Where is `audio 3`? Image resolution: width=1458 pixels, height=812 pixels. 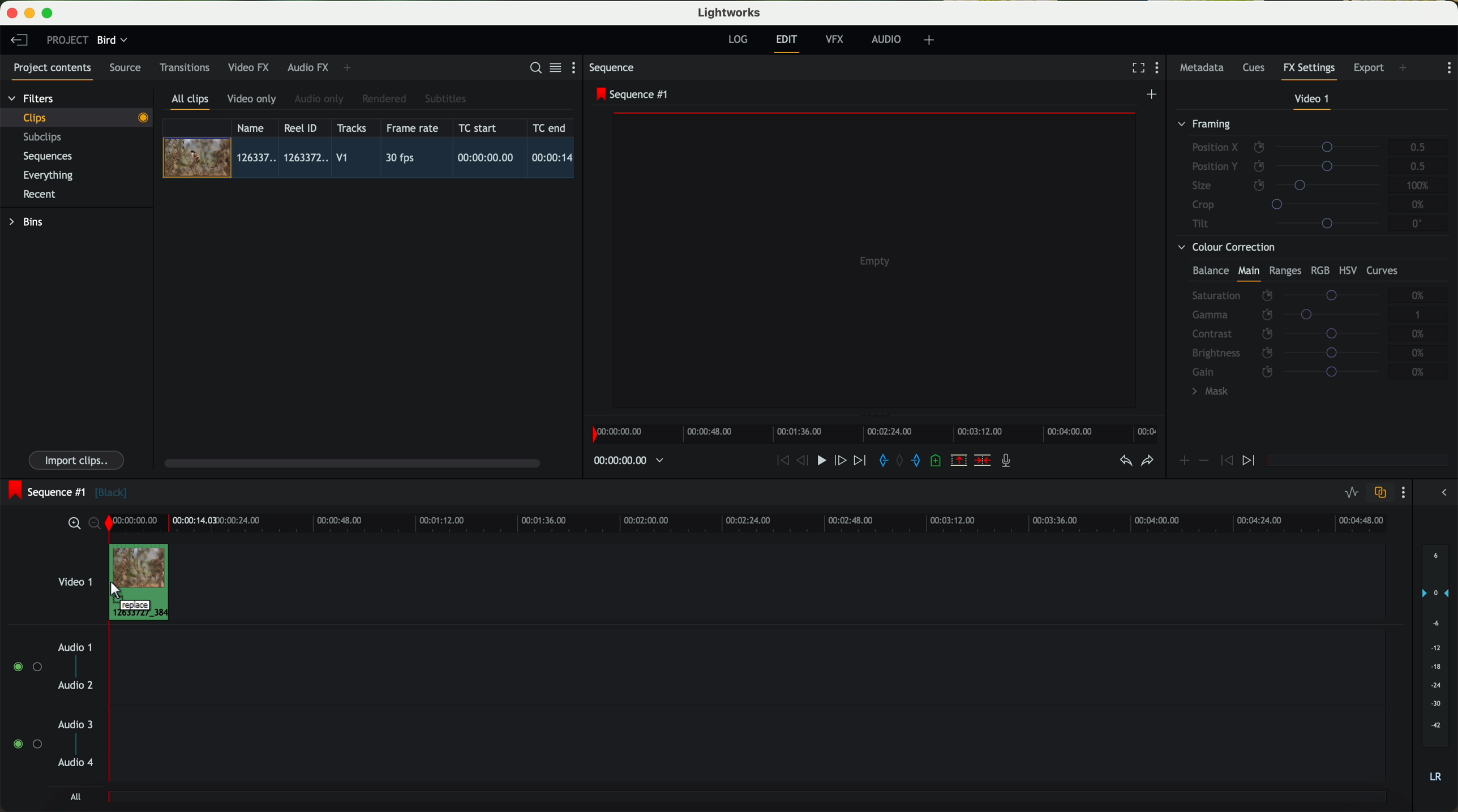 audio 3 is located at coordinates (70, 724).